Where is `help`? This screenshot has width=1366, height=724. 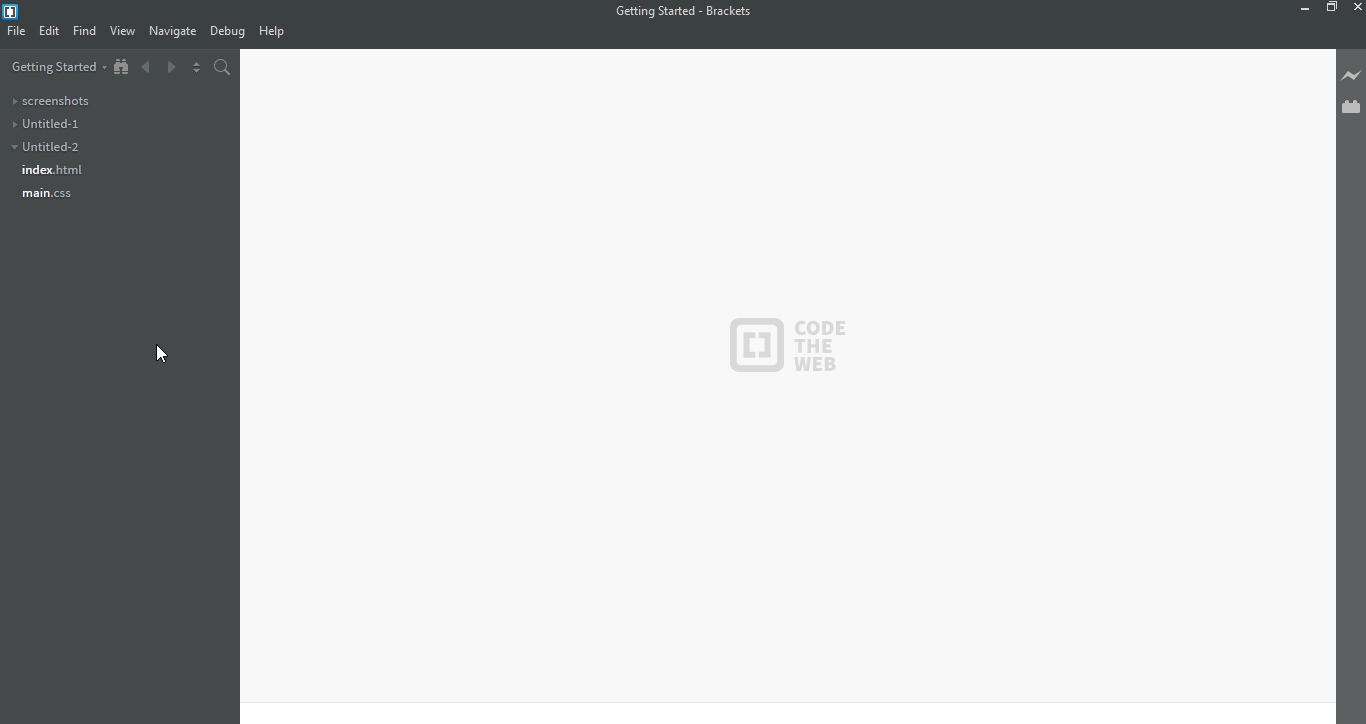
help is located at coordinates (279, 30).